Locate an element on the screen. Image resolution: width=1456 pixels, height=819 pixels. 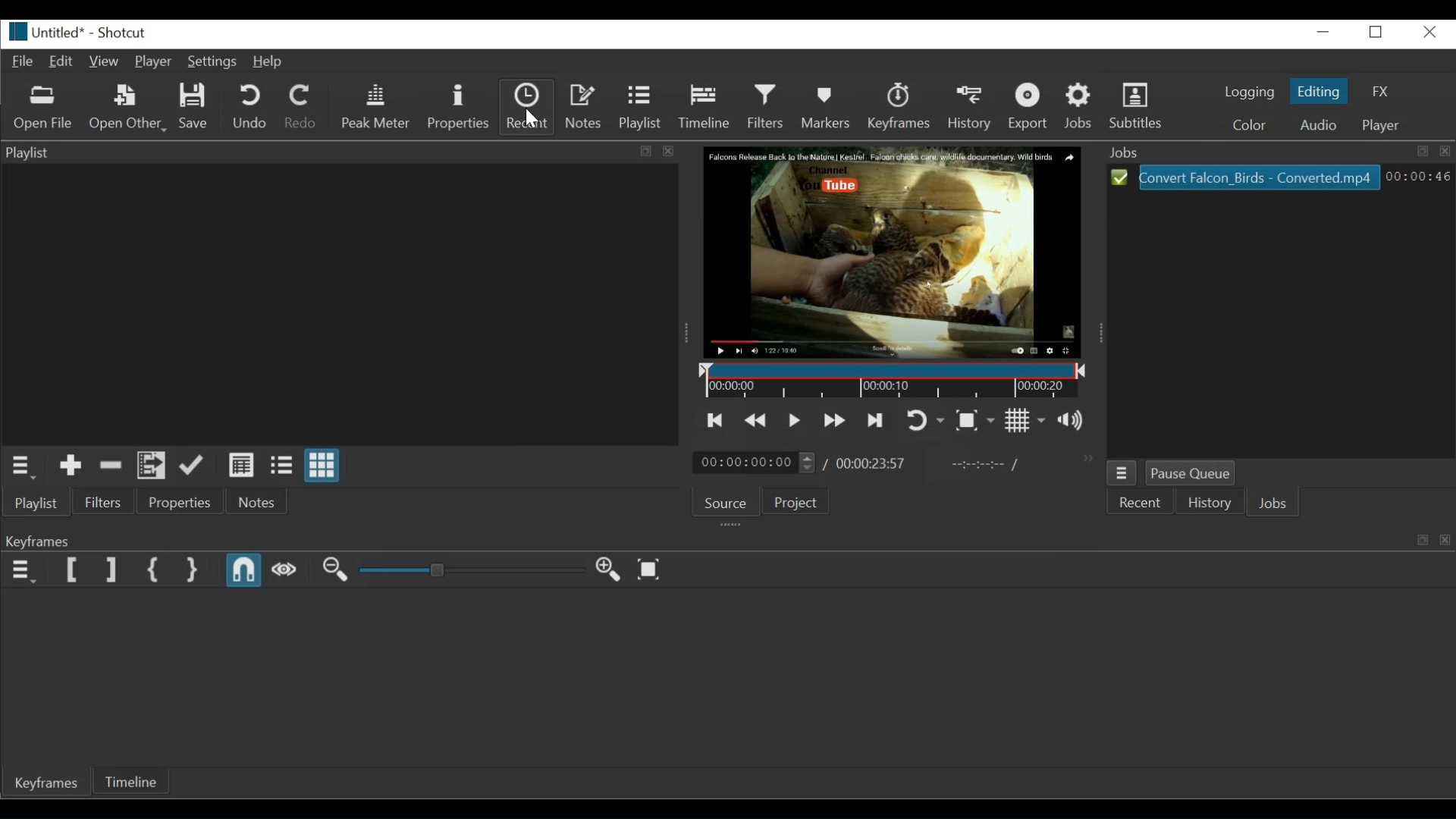
Show the volume control is located at coordinates (1073, 422).